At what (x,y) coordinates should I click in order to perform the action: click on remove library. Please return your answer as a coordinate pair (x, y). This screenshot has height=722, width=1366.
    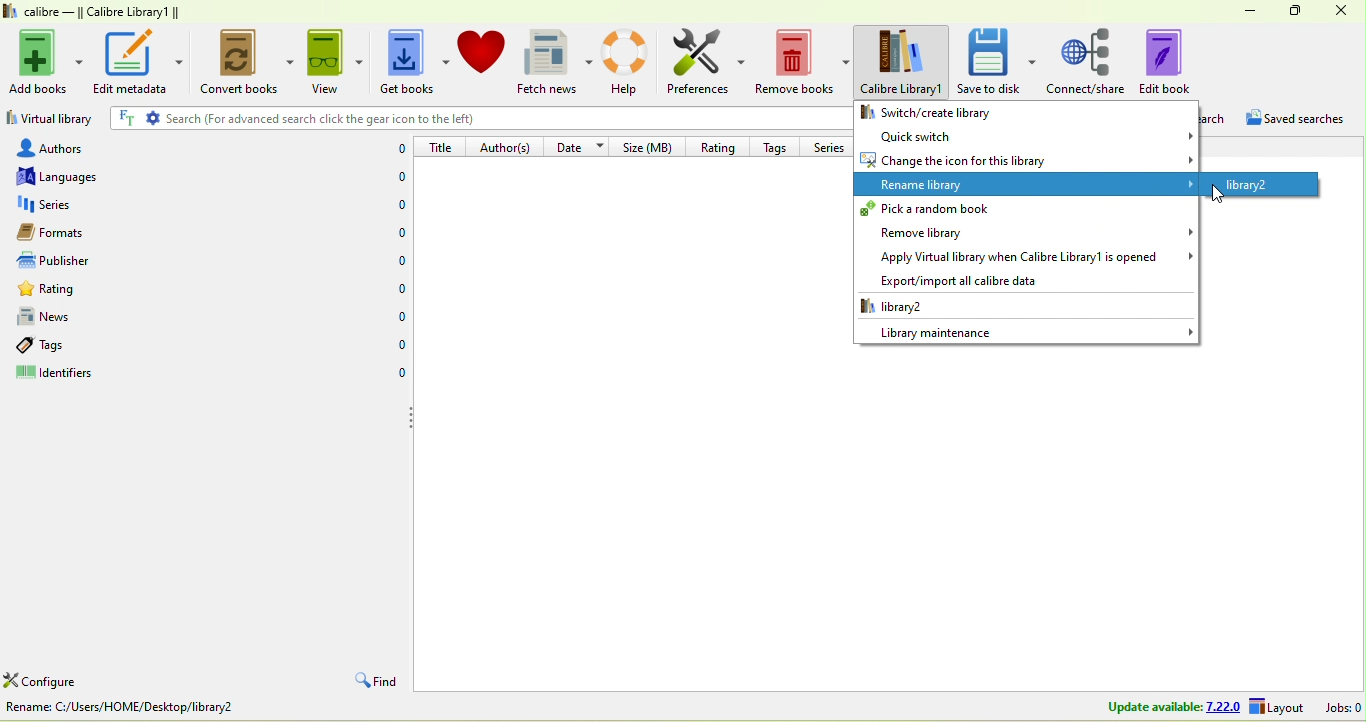
    Looking at the image, I should click on (1024, 232).